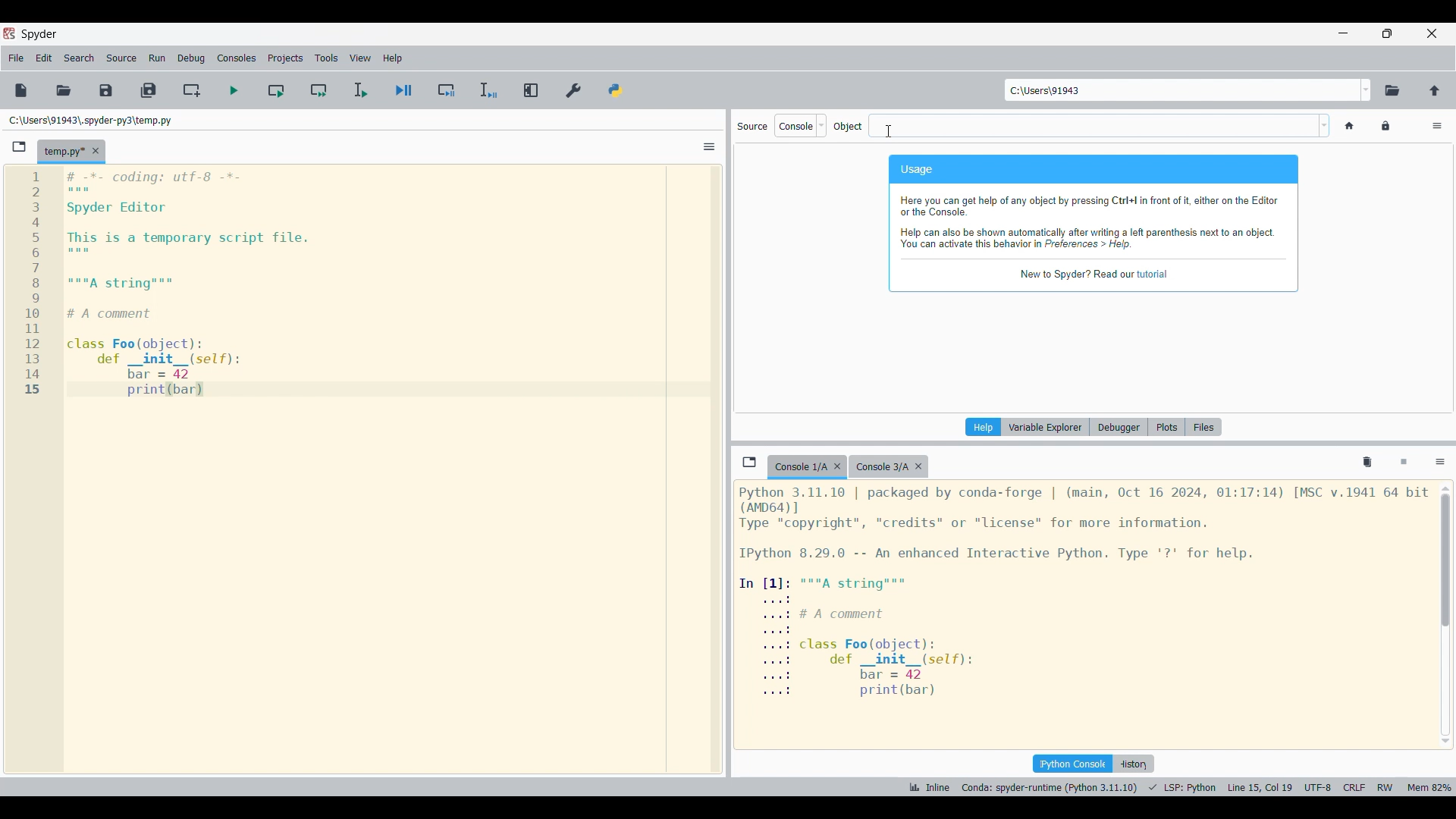 This screenshot has height=819, width=1456. I want to click on View menu, so click(361, 58).